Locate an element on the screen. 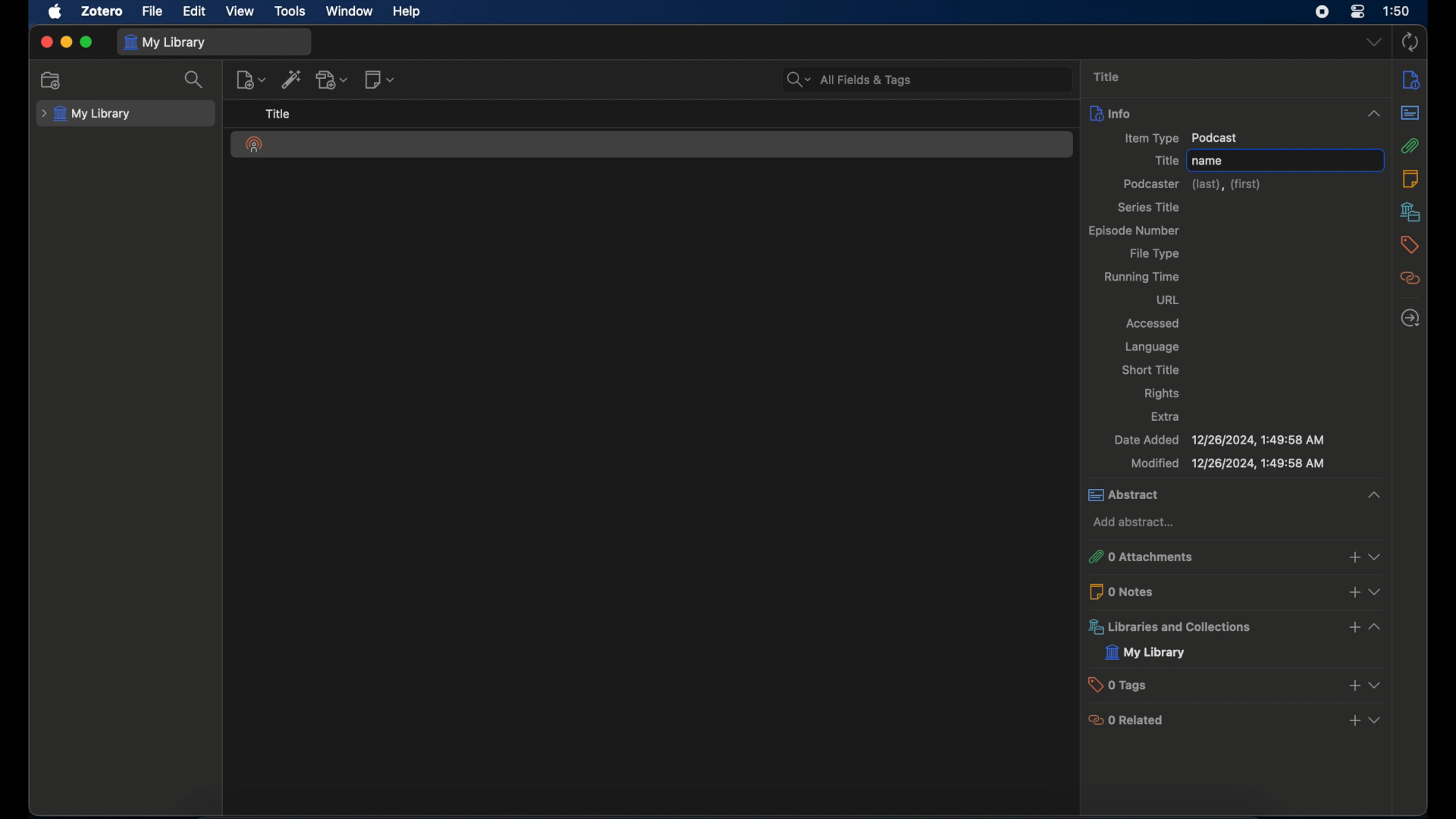  new note is located at coordinates (379, 80).